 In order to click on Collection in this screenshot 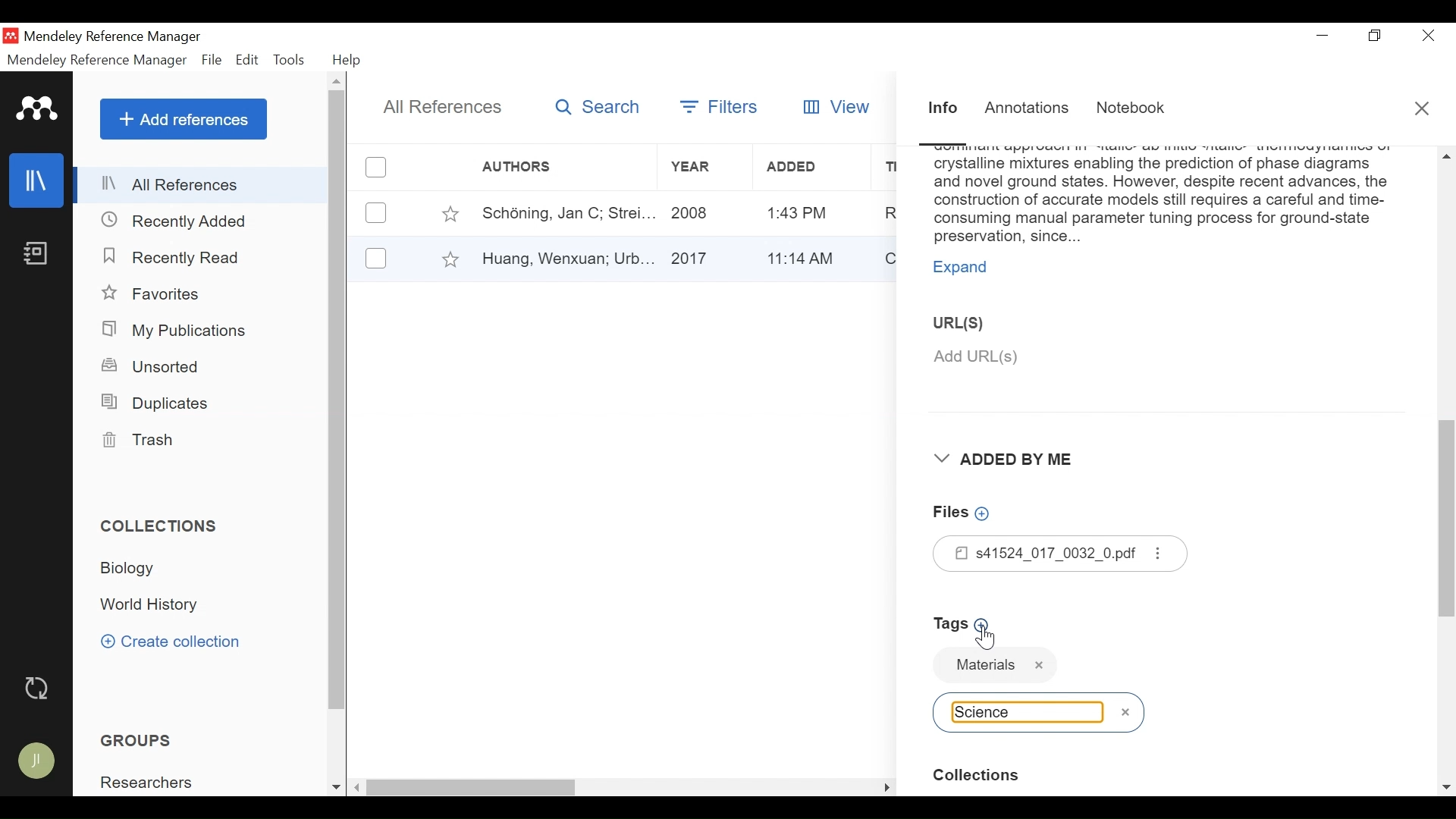, I will do `click(133, 568)`.